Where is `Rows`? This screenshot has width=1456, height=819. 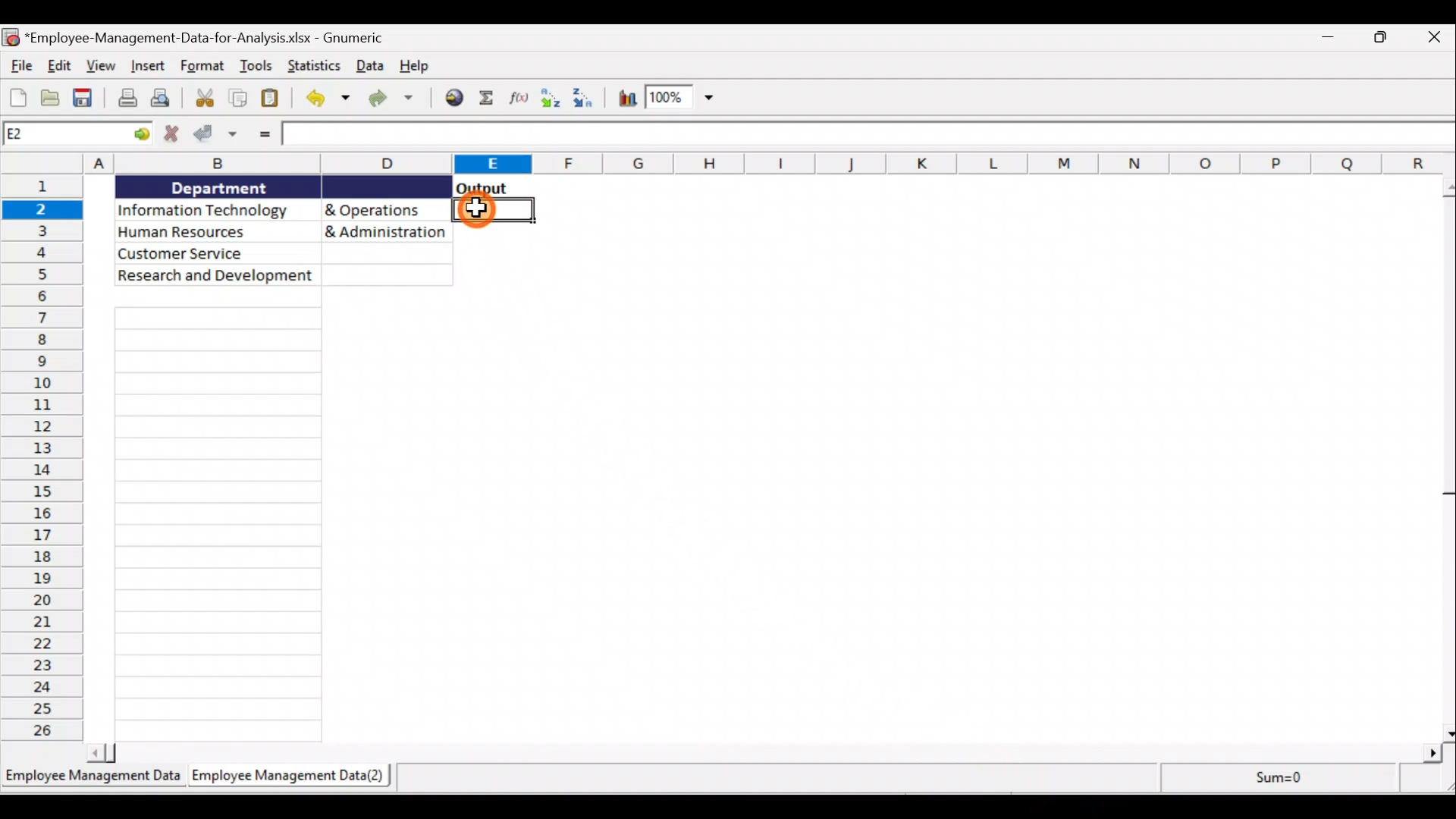
Rows is located at coordinates (45, 459).